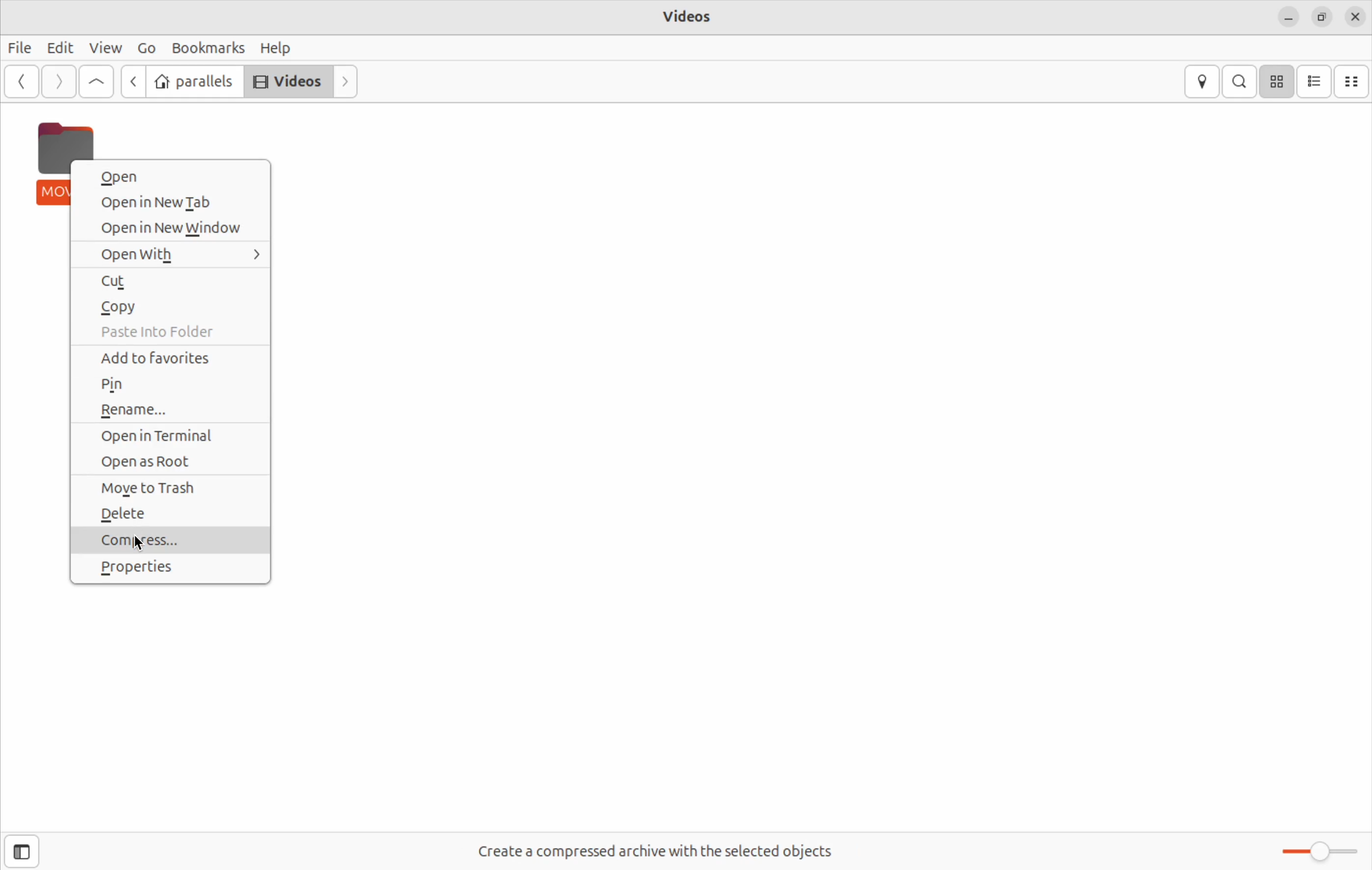 The height and width of the screenshot is (870, 1372). What do you see at coordinates (1276, 83) in the screenshot?
I see `icon view` at bounding box center [1276, 83].